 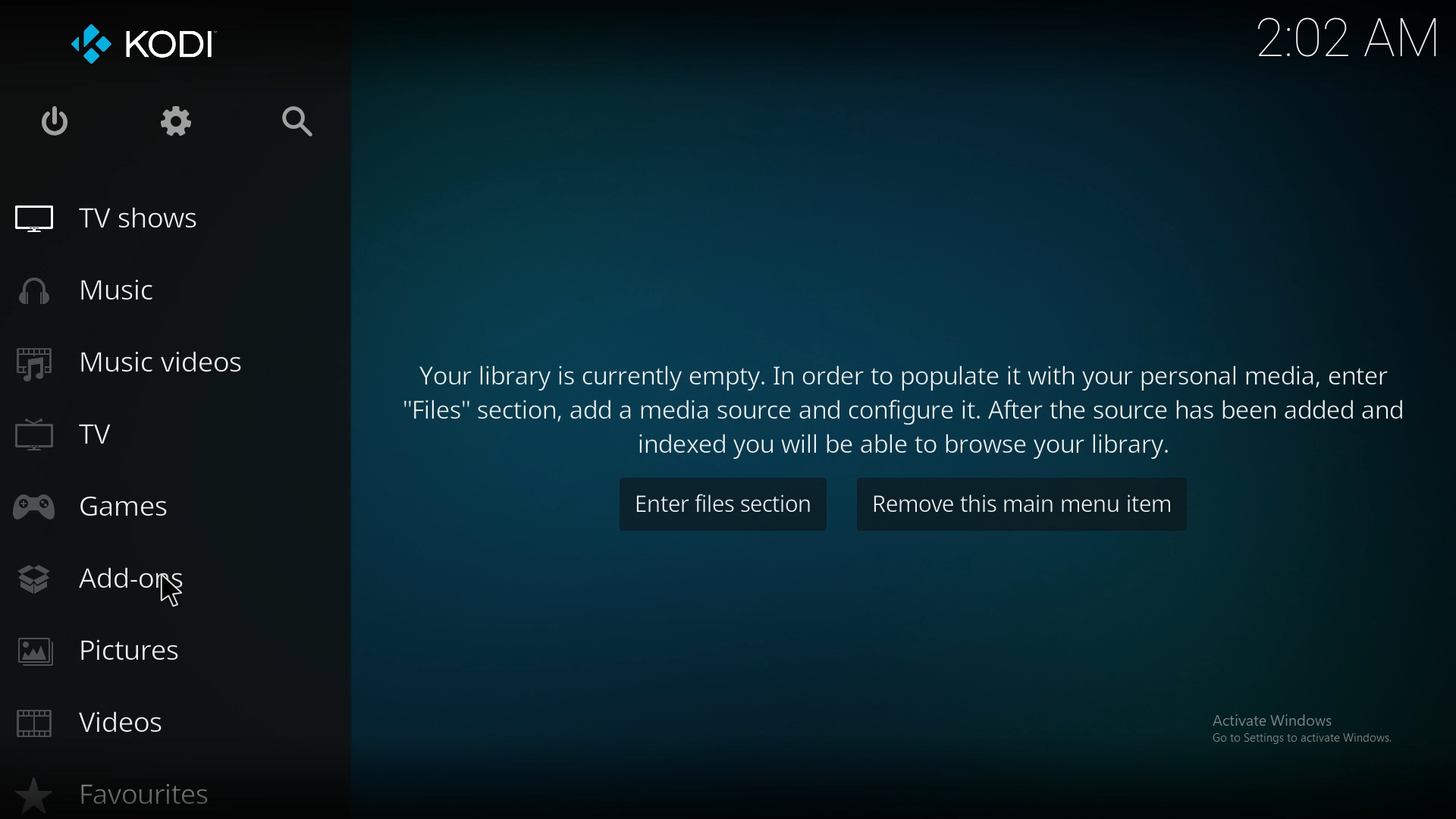 I want to click on settings, so click(x=177, y=122).